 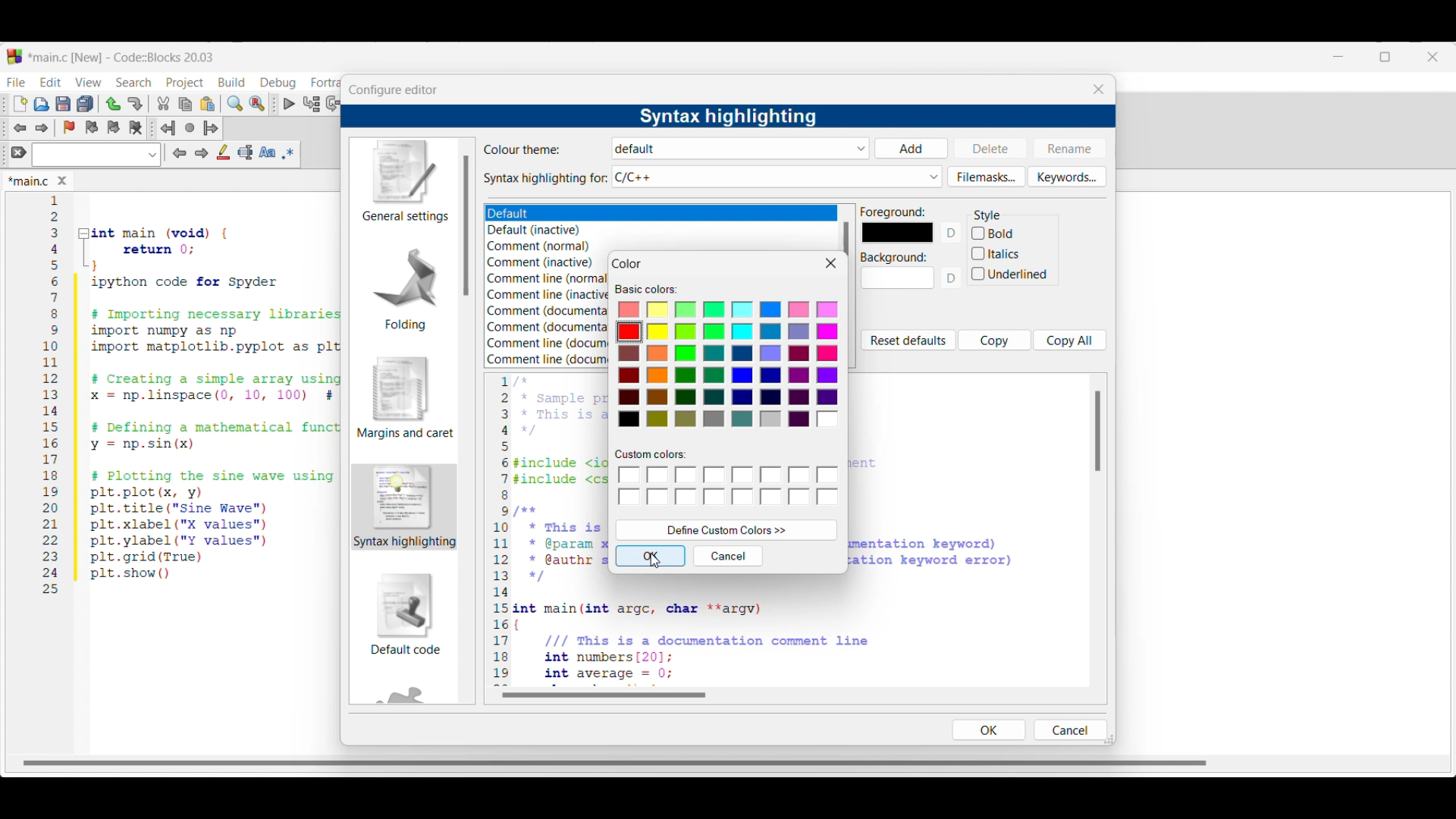 I want to click on Find, so click(x=235, y=103).